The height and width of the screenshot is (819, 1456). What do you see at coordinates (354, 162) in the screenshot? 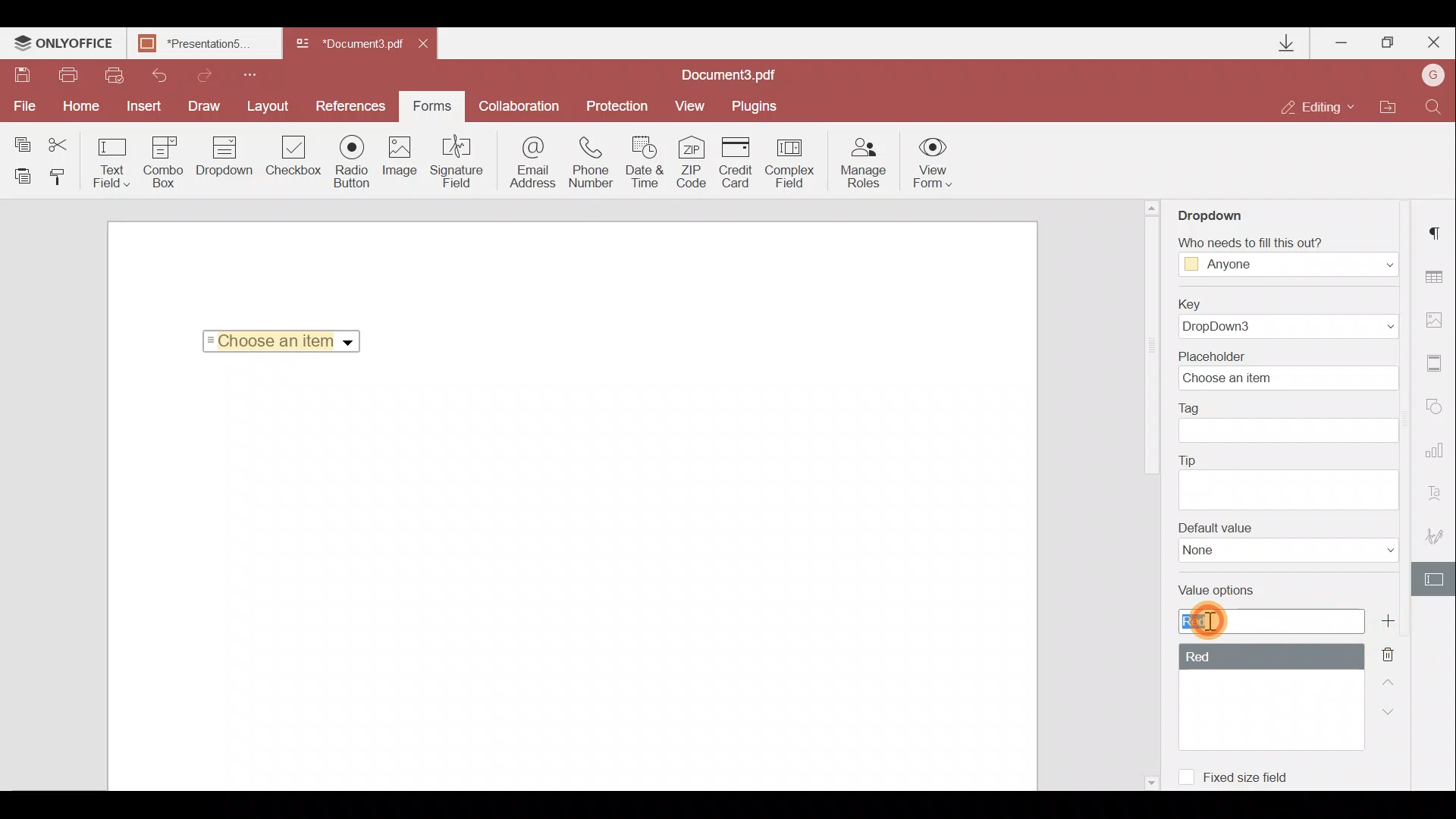
I see `Radio` at bounding box center [354, 162].